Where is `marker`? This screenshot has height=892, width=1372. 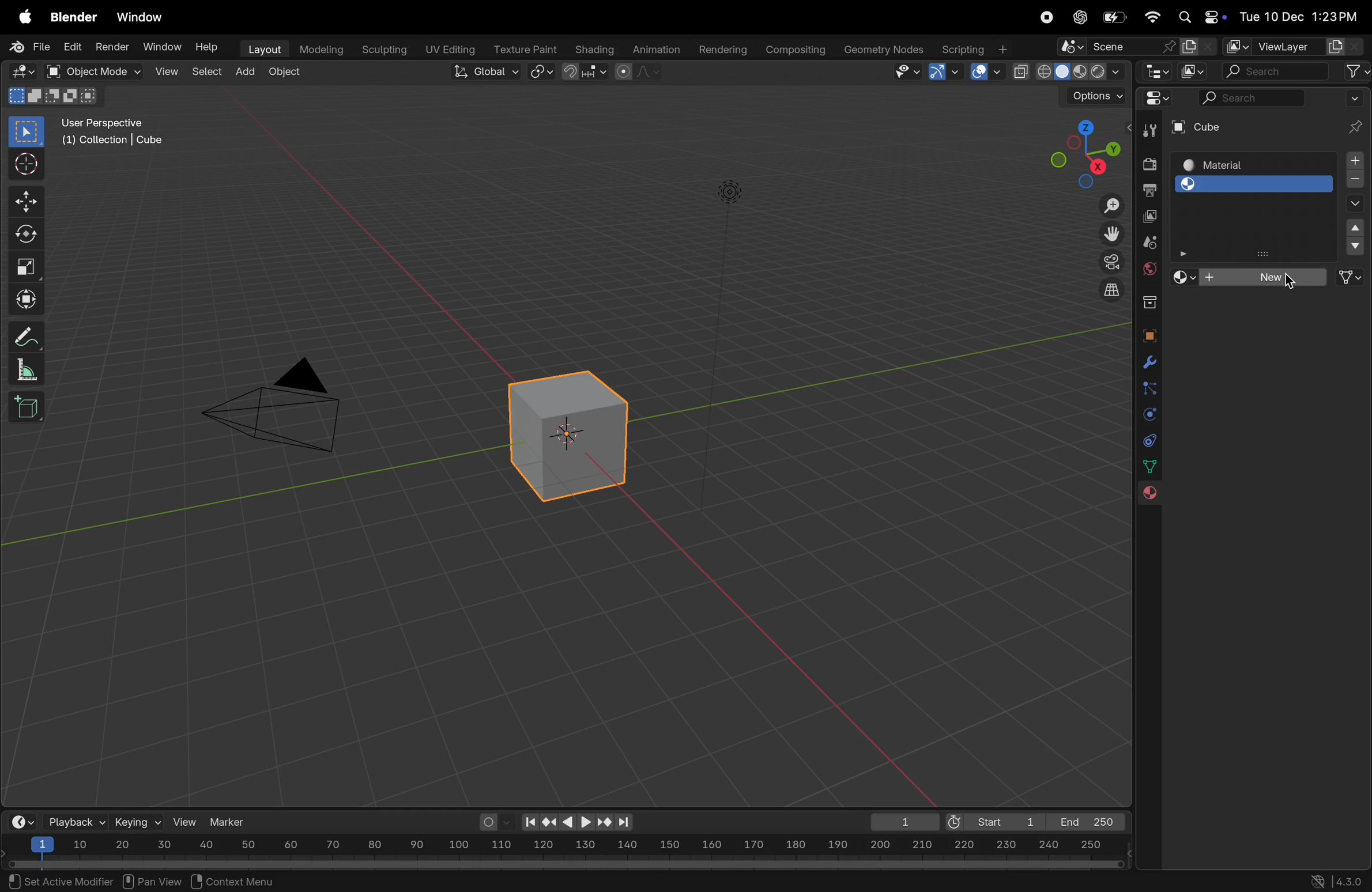 marker is located at coordinates (232, 821).